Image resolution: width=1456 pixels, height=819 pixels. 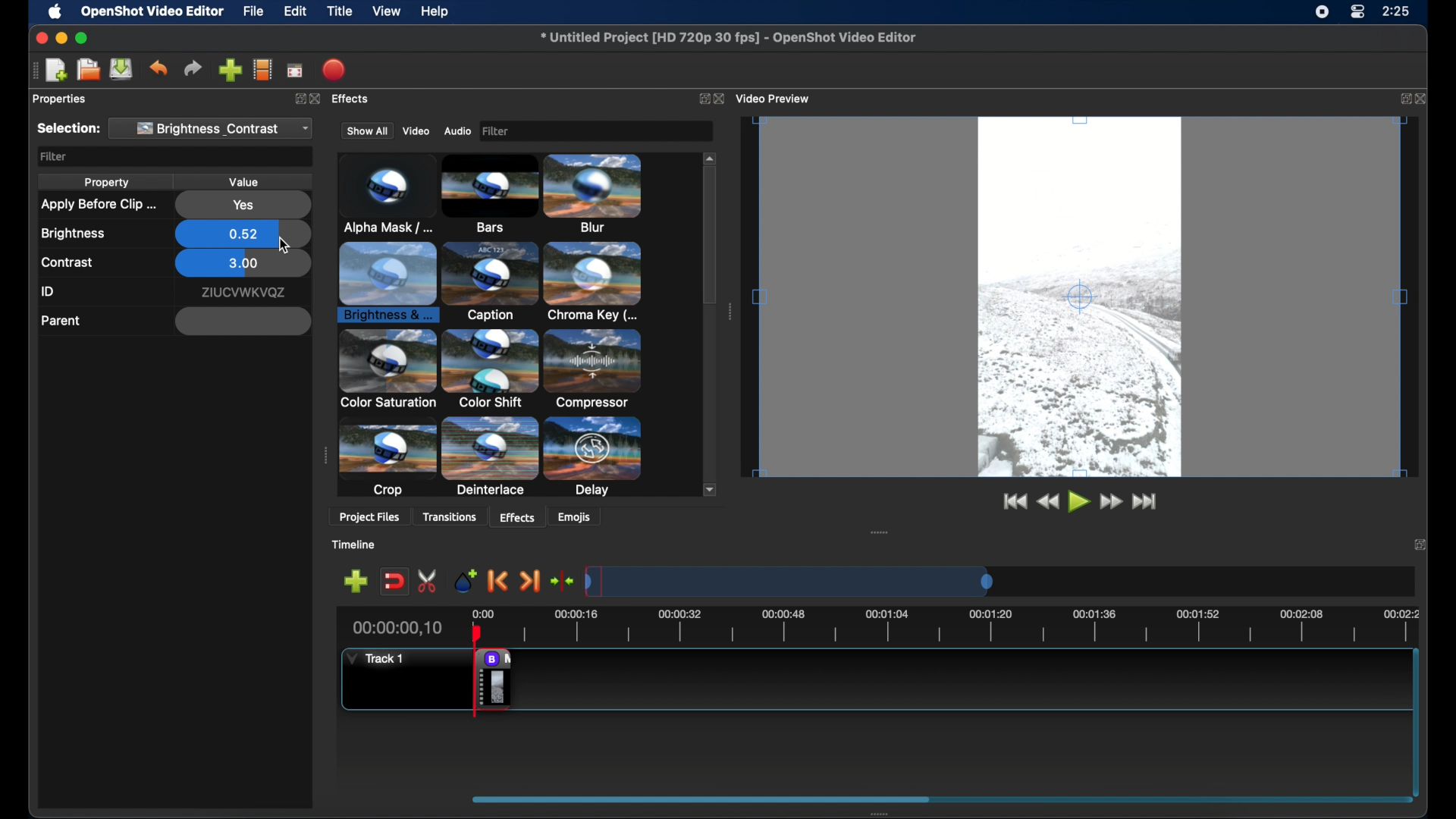 What do you see at coordinates (1403, 99) in the screenshot?
I see `expand` at bounding box center [1403, 99].